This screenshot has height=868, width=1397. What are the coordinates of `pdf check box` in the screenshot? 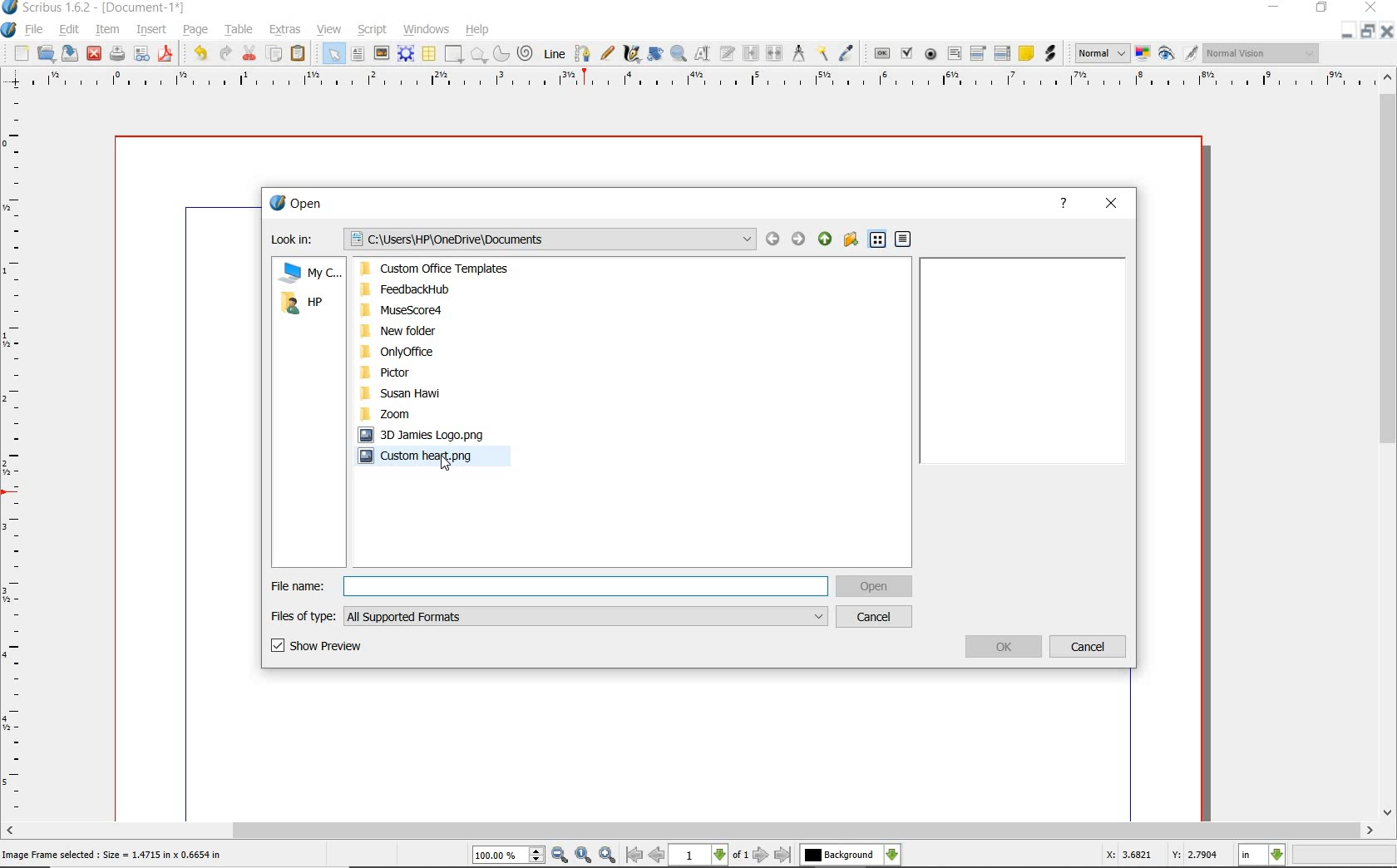 It's located at (909, 55).